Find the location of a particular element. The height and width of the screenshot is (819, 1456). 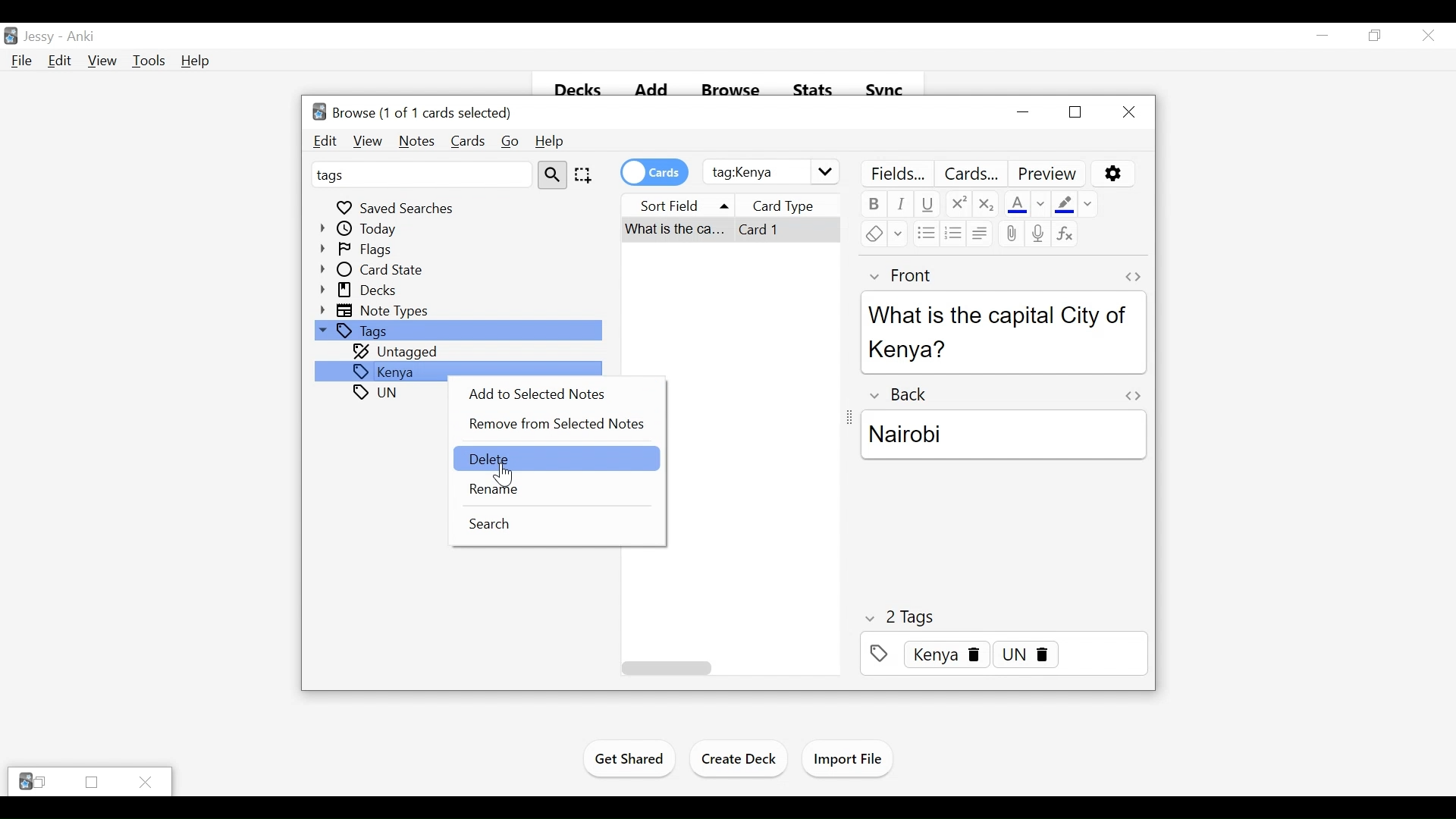

Customize Cards Template is located at coordinates (973, 174).